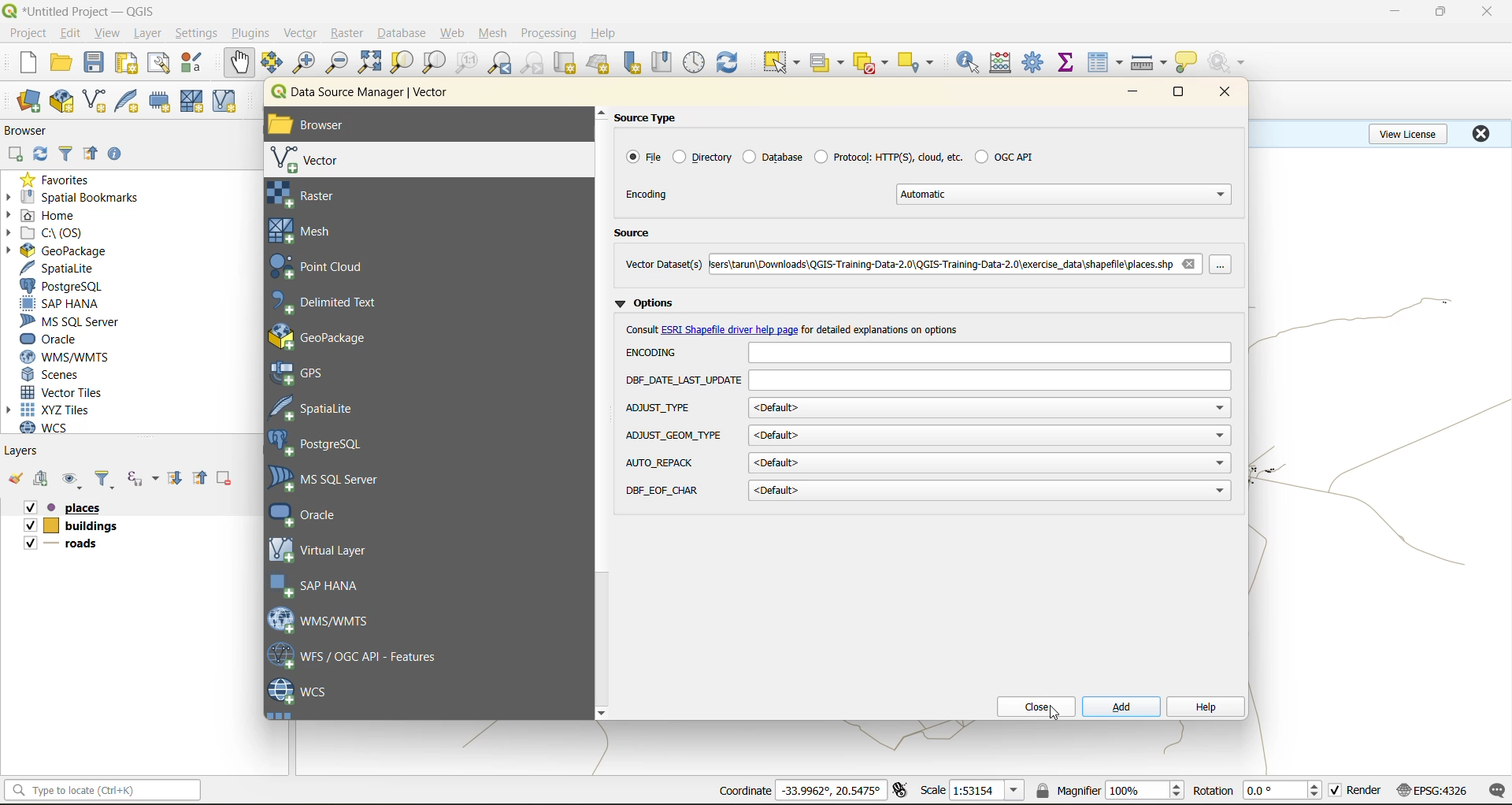  I want to click on select value, so click(830, 65).